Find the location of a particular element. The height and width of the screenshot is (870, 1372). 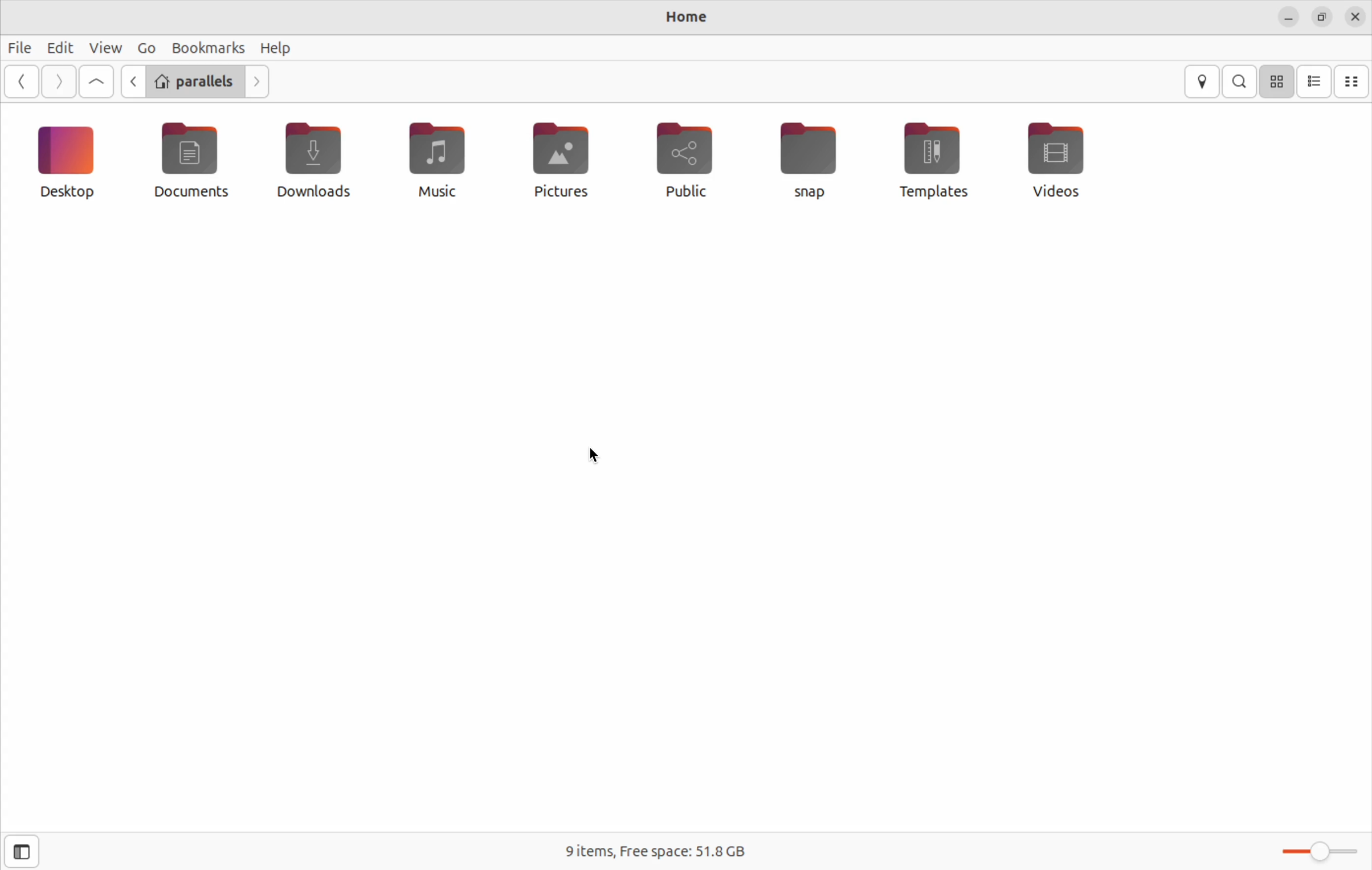

view is located at coordinates (101, 48).